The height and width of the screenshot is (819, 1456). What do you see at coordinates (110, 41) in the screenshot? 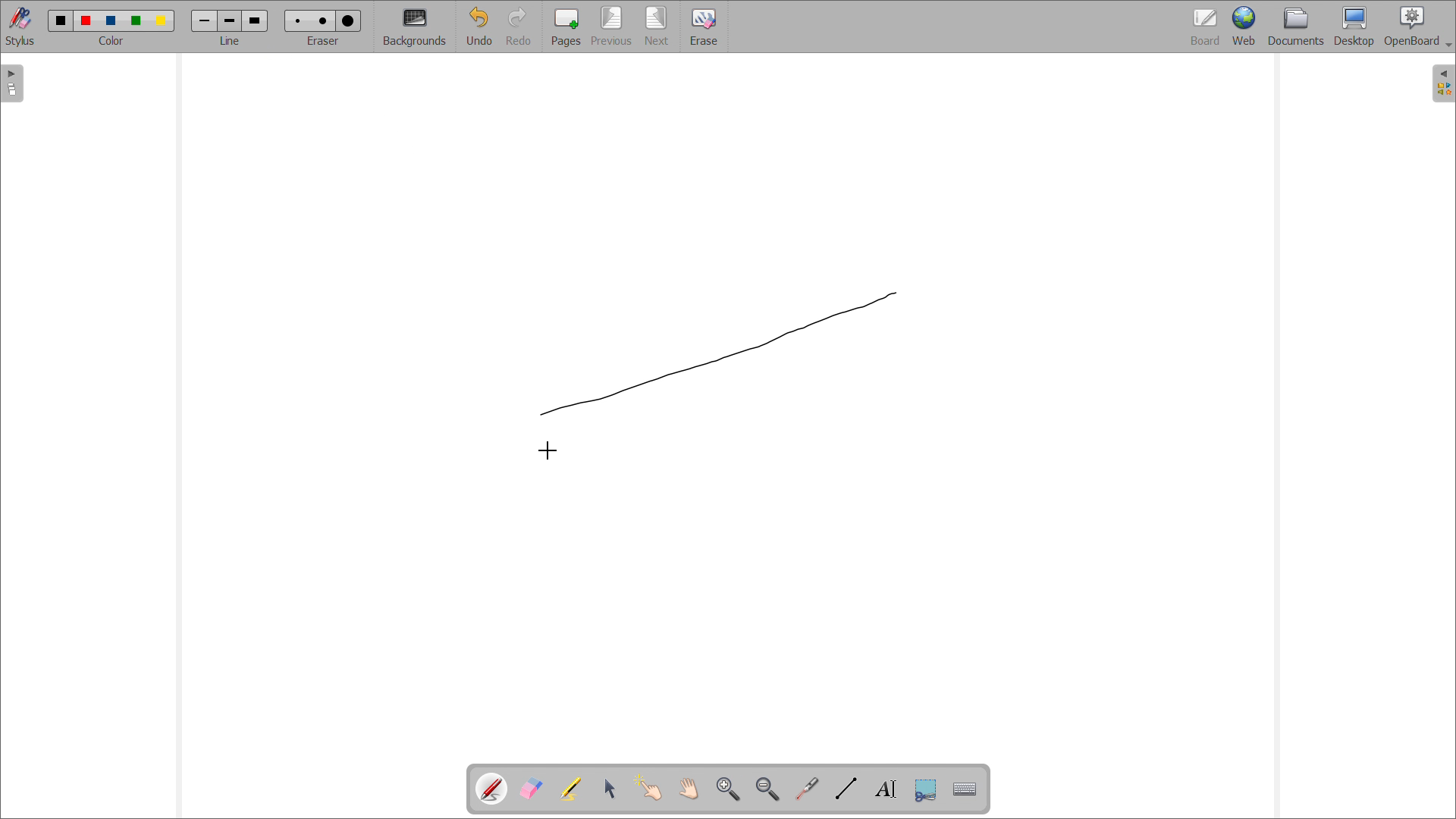
I see `select color` at bounding box center [110, 41].